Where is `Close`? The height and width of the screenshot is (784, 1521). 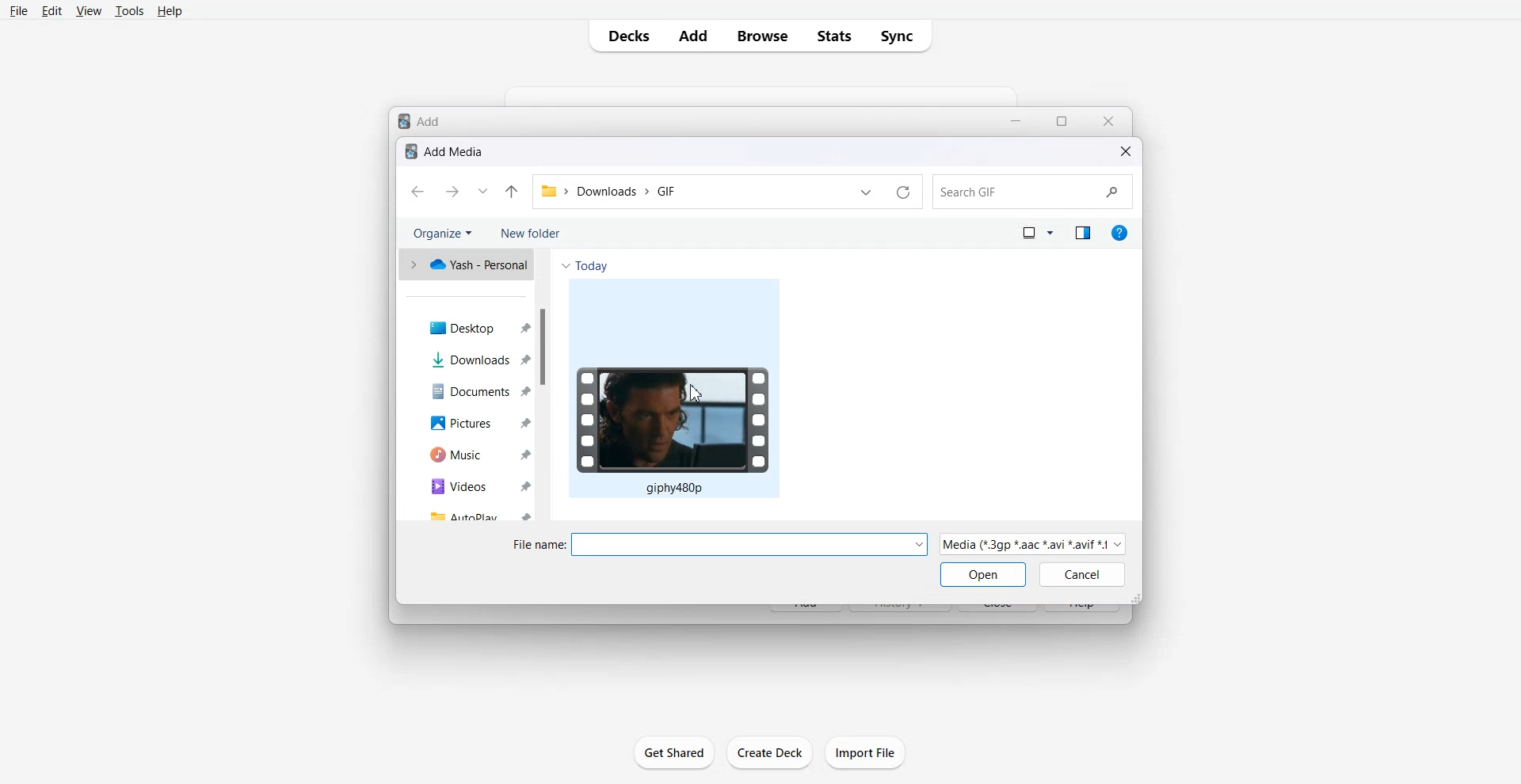 Close is located at coordinates (1126, 151).